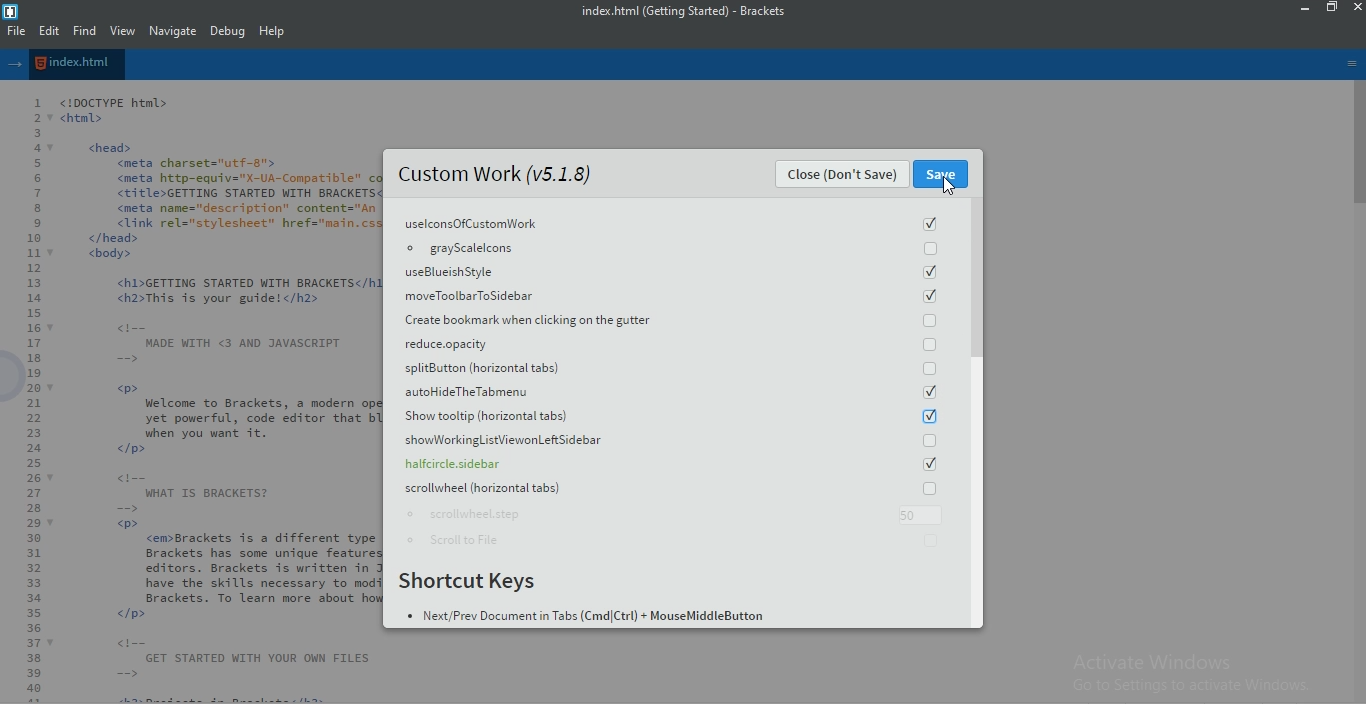 Image resolution: width=1366 pixels, height=704 pixels. What do you see at coordinates (495, 172) in the screenshot?
I see `Custom Work (v5.1.8)` at bounding box center [495, 172].